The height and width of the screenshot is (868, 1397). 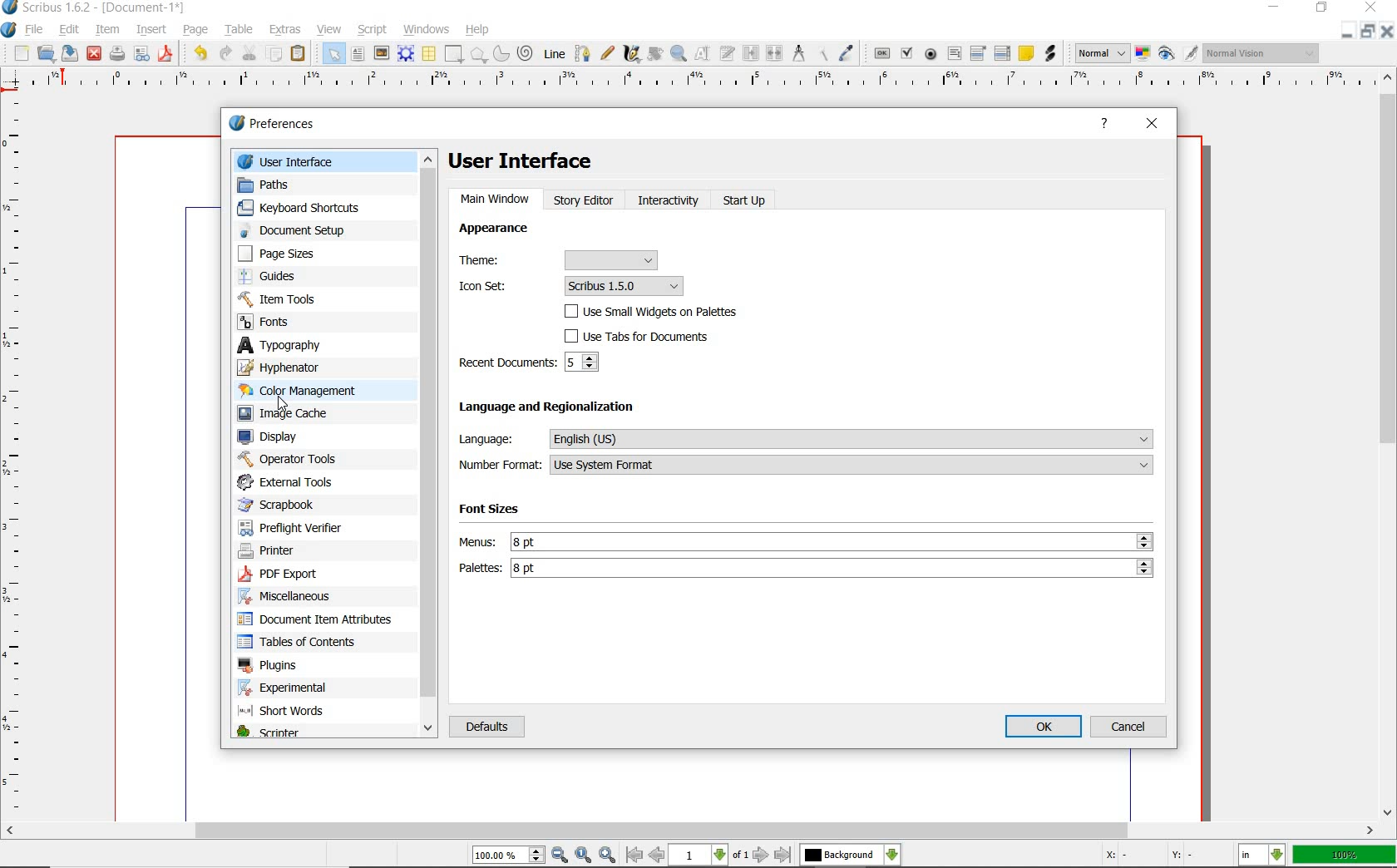 I want to click on print, so click(x=116, y=53).